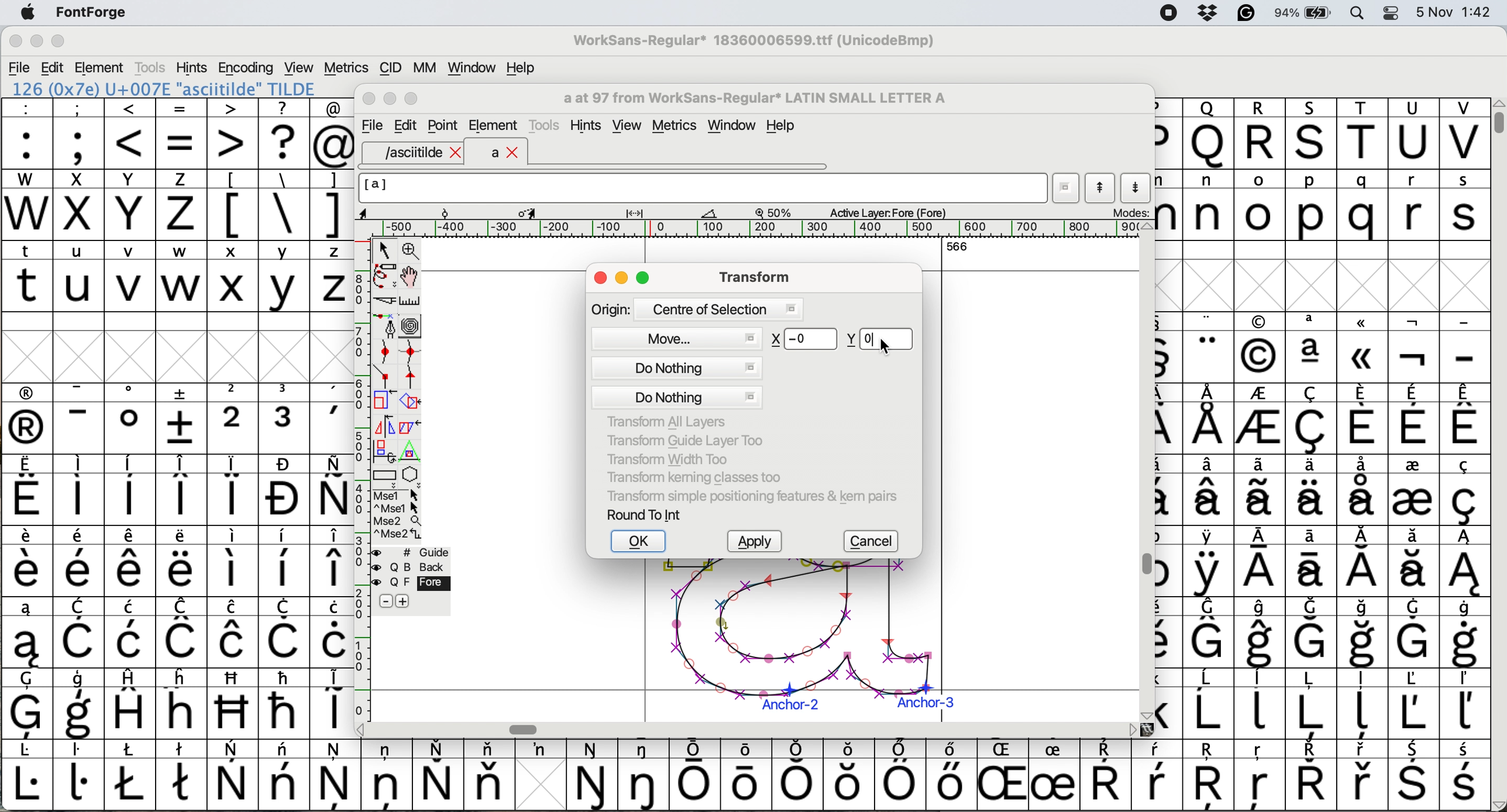 The width and height of the screenshot is (1507, 812). Describe the element at coordinates (285, 490) in the screenshot. I see `symbol` at that location.